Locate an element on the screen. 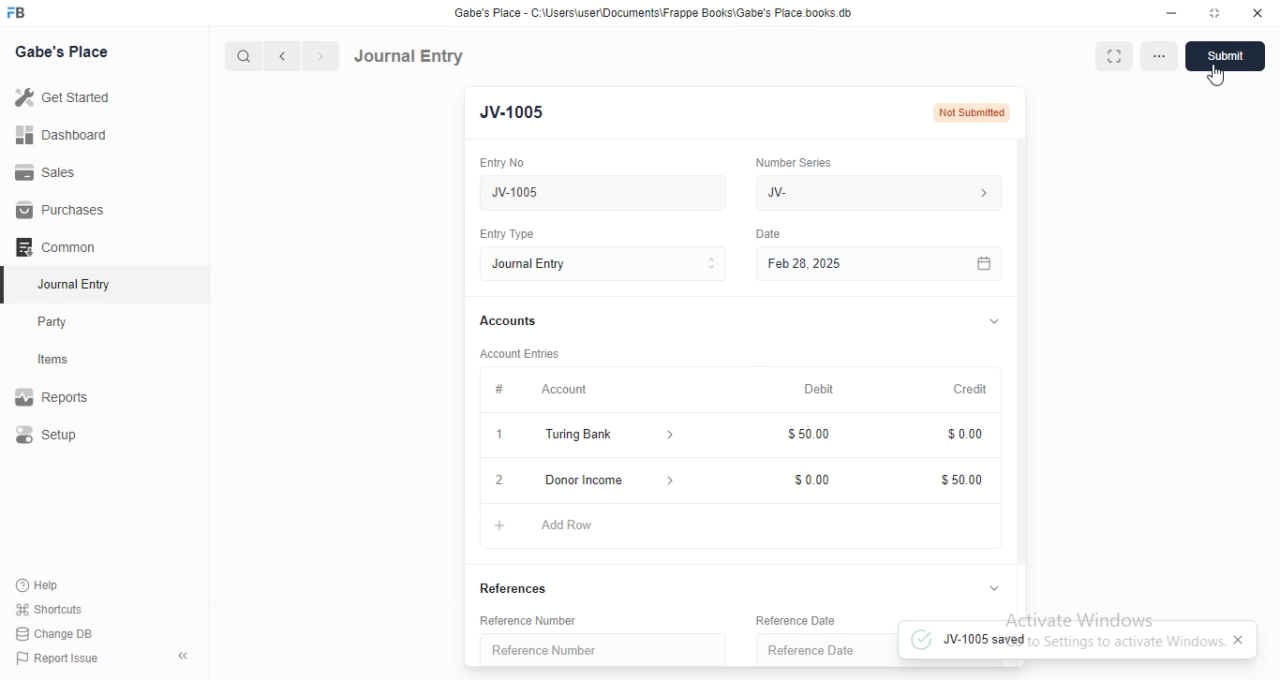 The height and width of the screenshot is (680, 1280). Accounts. is located at coordinates (518, 322).